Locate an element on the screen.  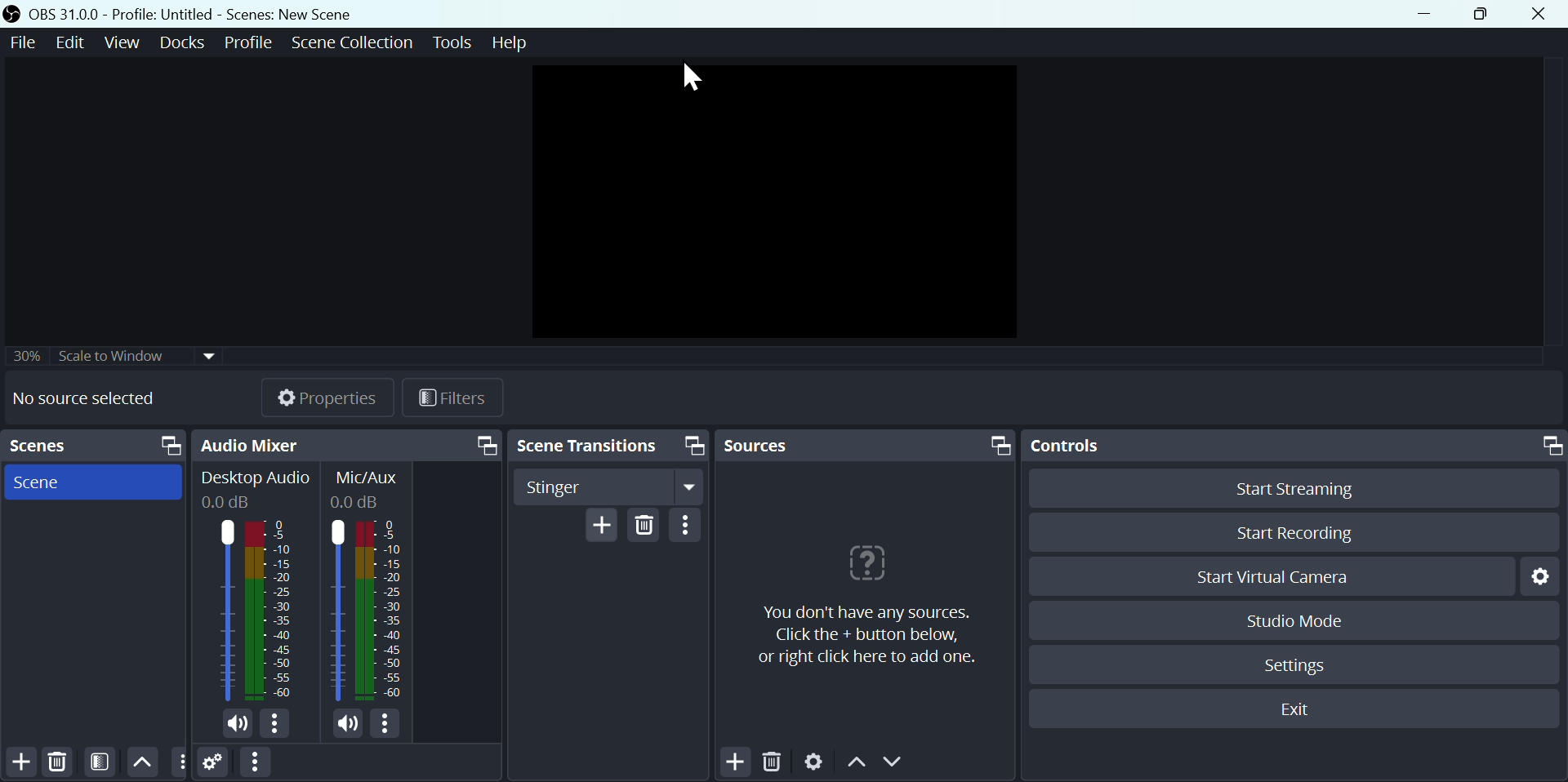
 is located at coordinates (692, 529).